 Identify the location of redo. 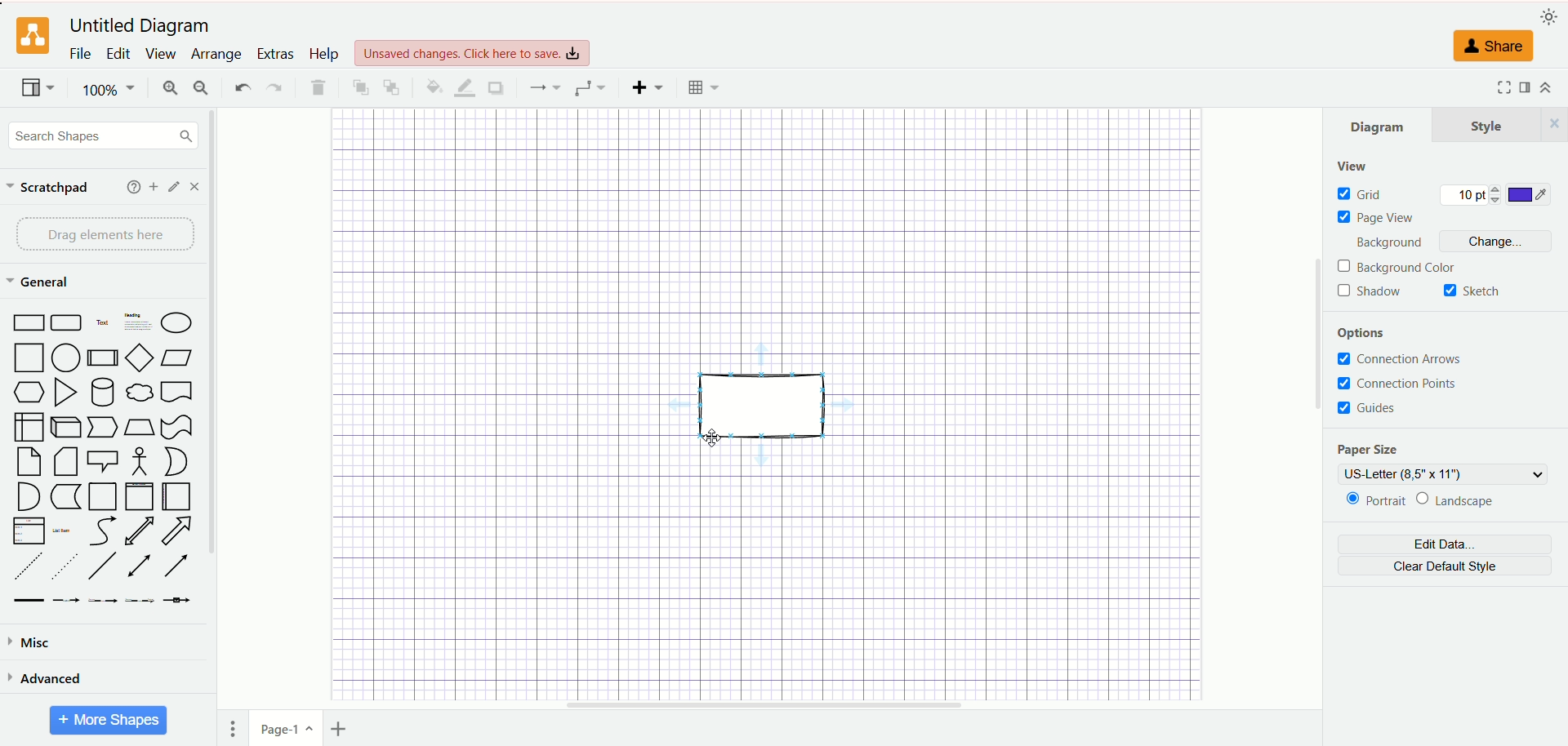
(274, 87).